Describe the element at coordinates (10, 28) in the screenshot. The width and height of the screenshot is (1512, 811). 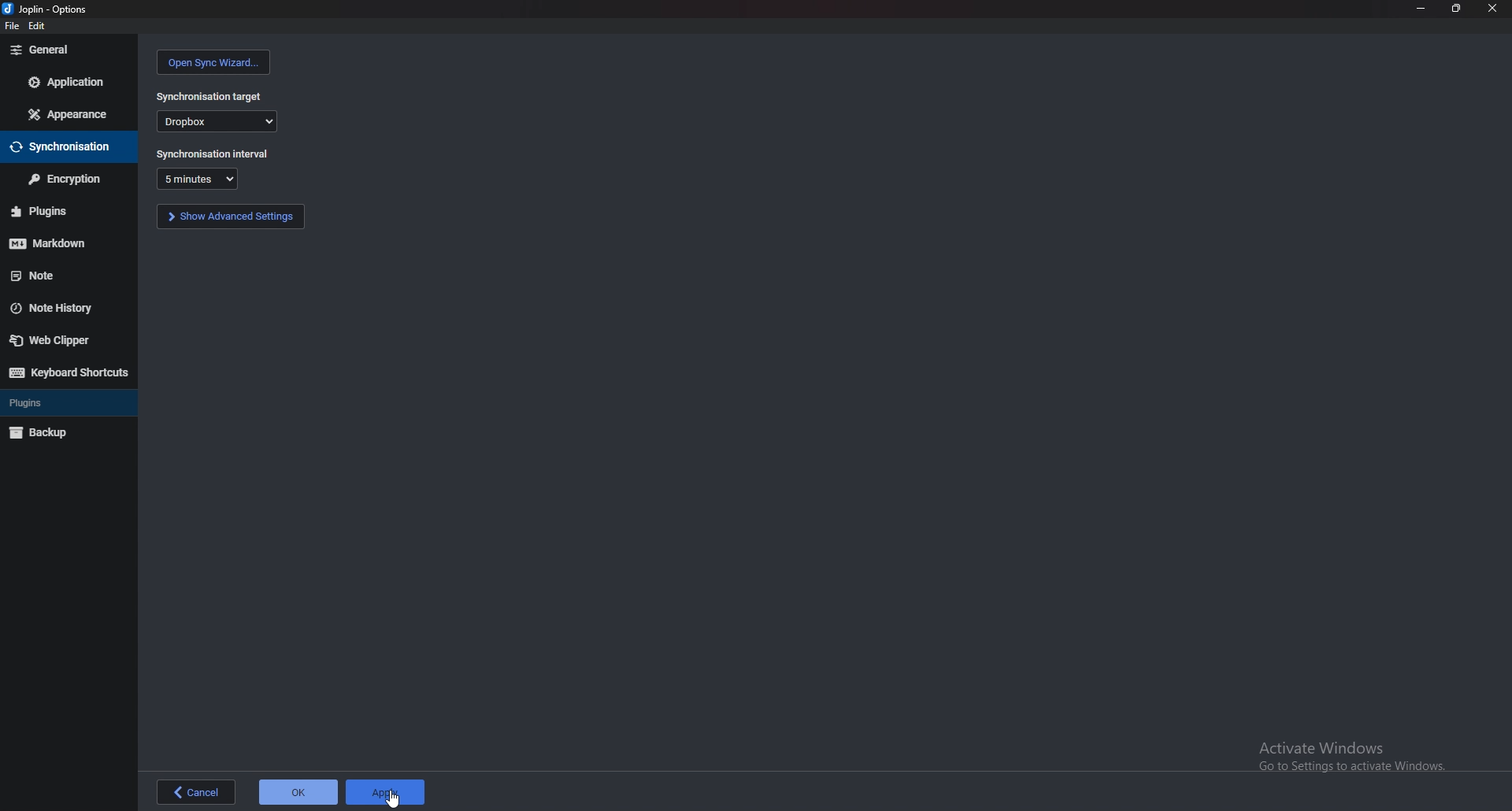
I see `file` at that location.